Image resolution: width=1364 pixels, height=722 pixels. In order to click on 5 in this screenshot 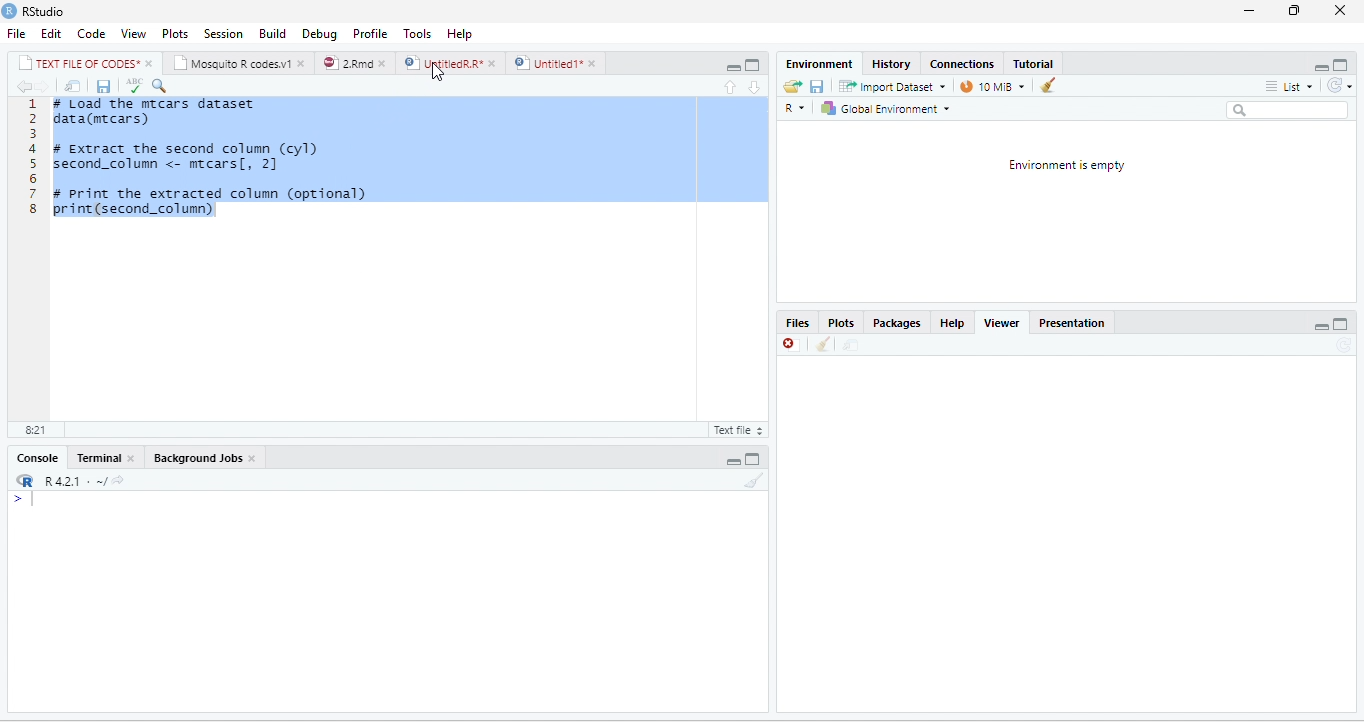, I will do `click(32, 163)`.